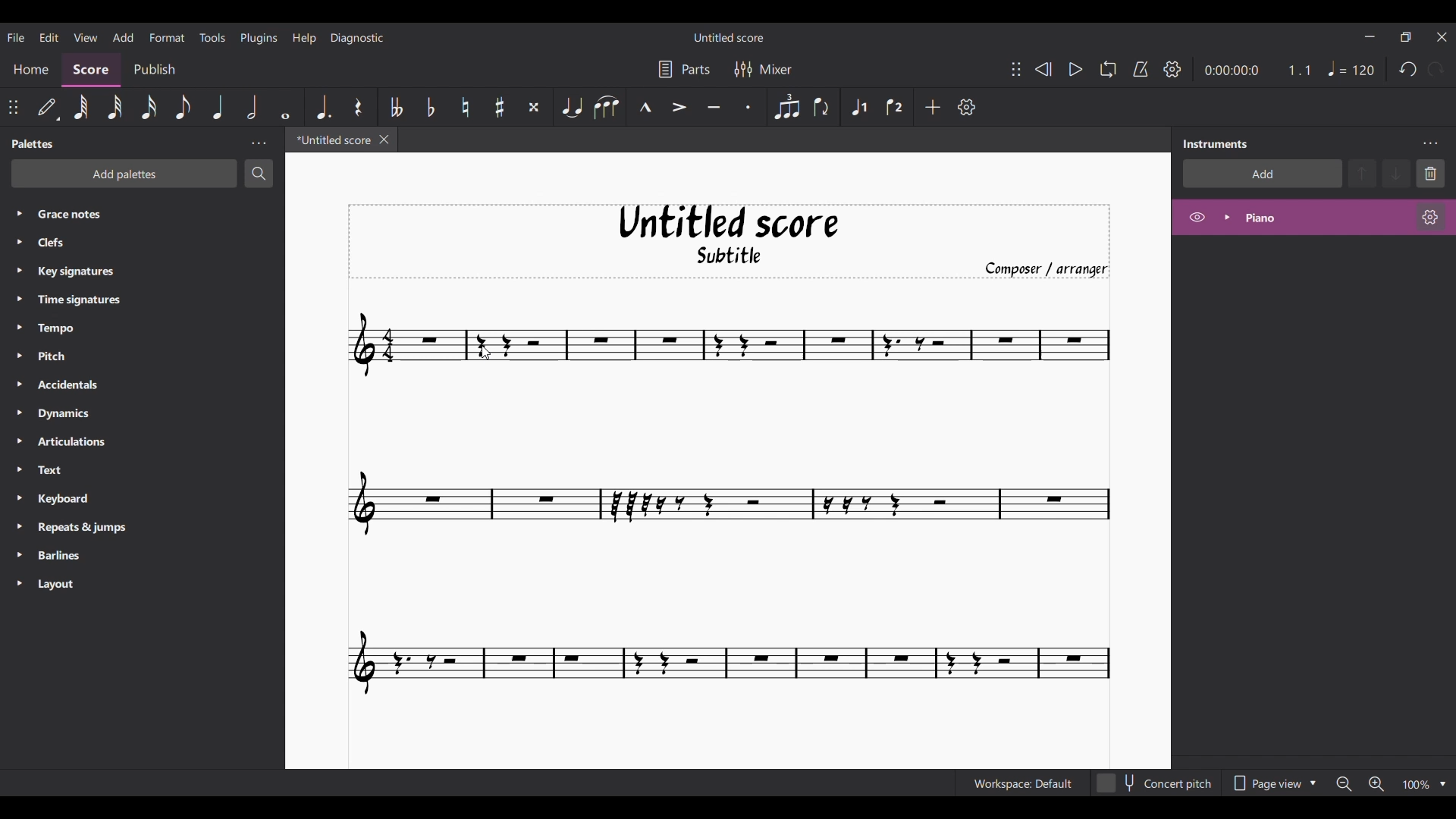  Describe the element at coordinates (1376, 784) in the screenshot. I see `Zoom in` at that location.